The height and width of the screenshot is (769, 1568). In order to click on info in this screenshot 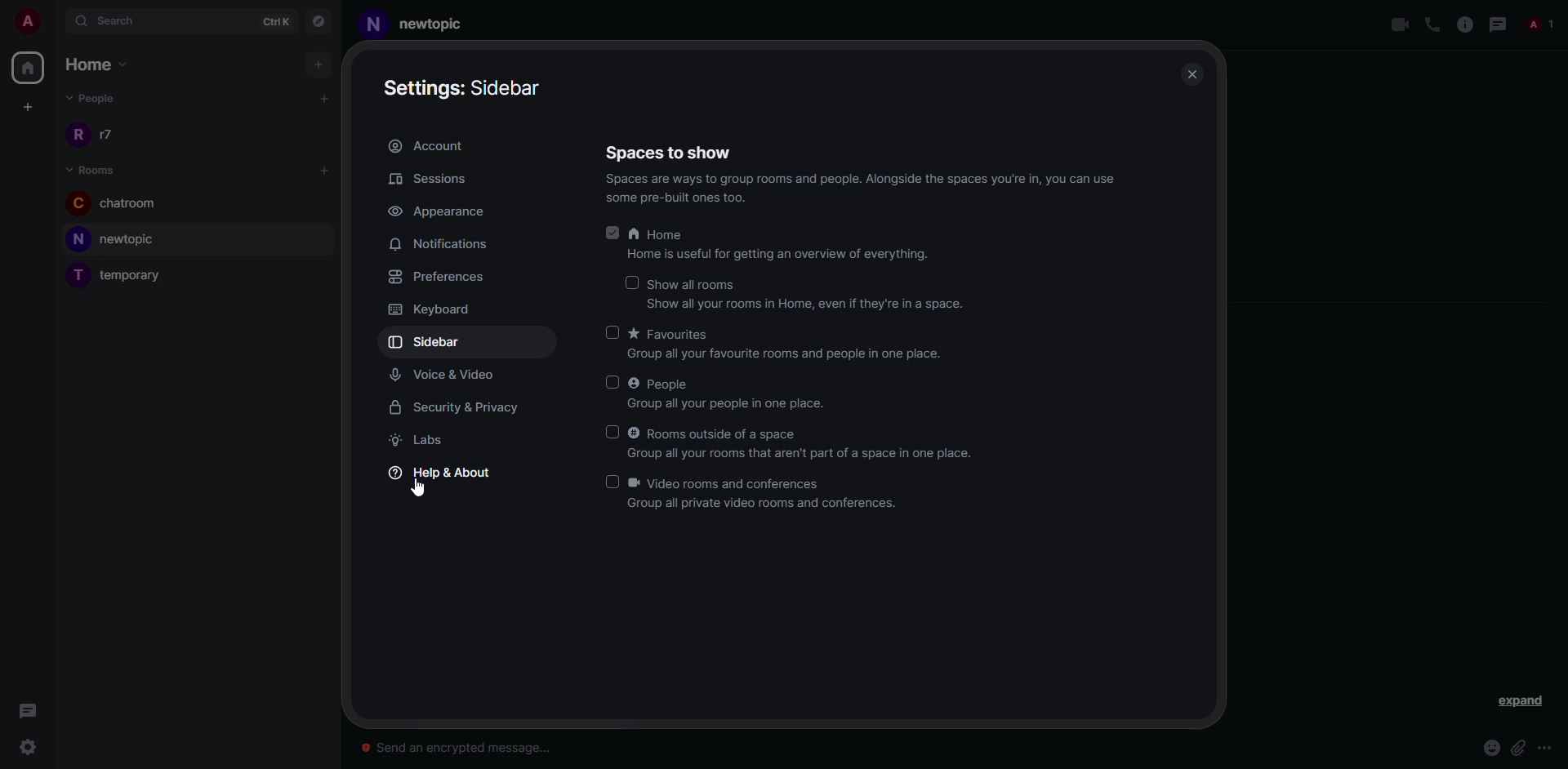, I will do `click(784, 255)`.